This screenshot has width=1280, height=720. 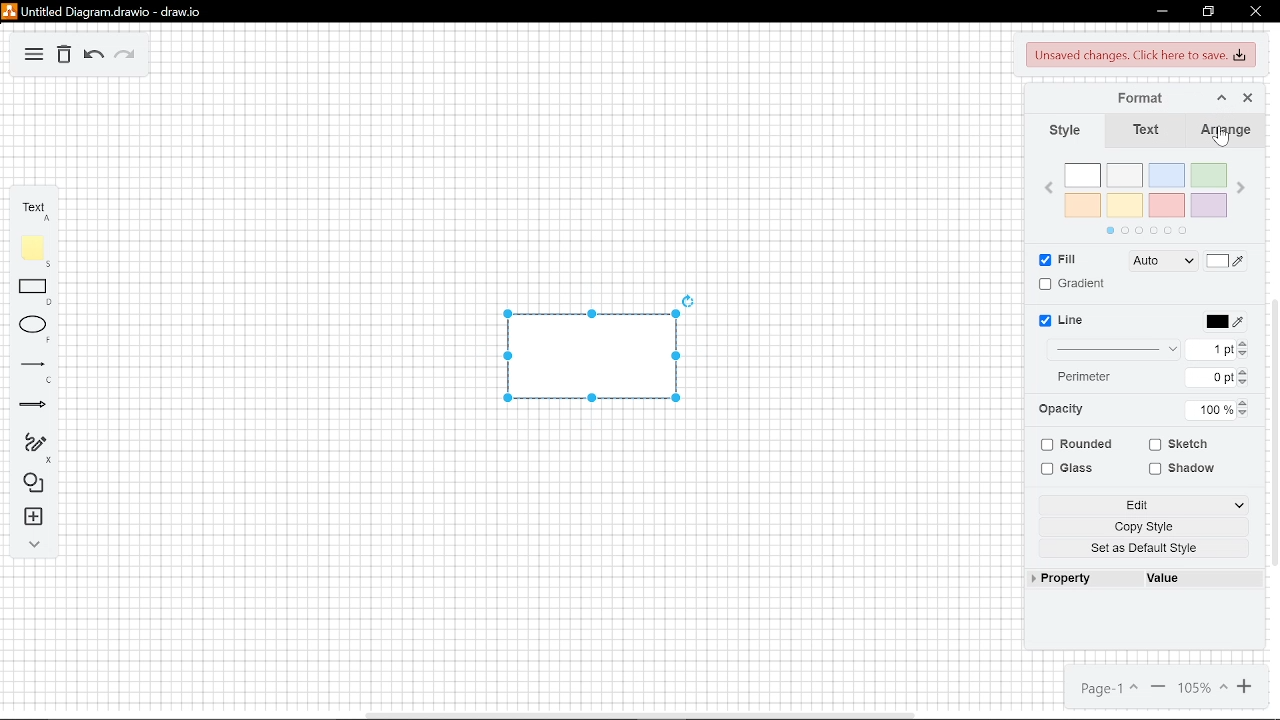 What do you see at coordinates (1168, 205) in the screenshot?
I see `red` at bounding box center [1168, 205].